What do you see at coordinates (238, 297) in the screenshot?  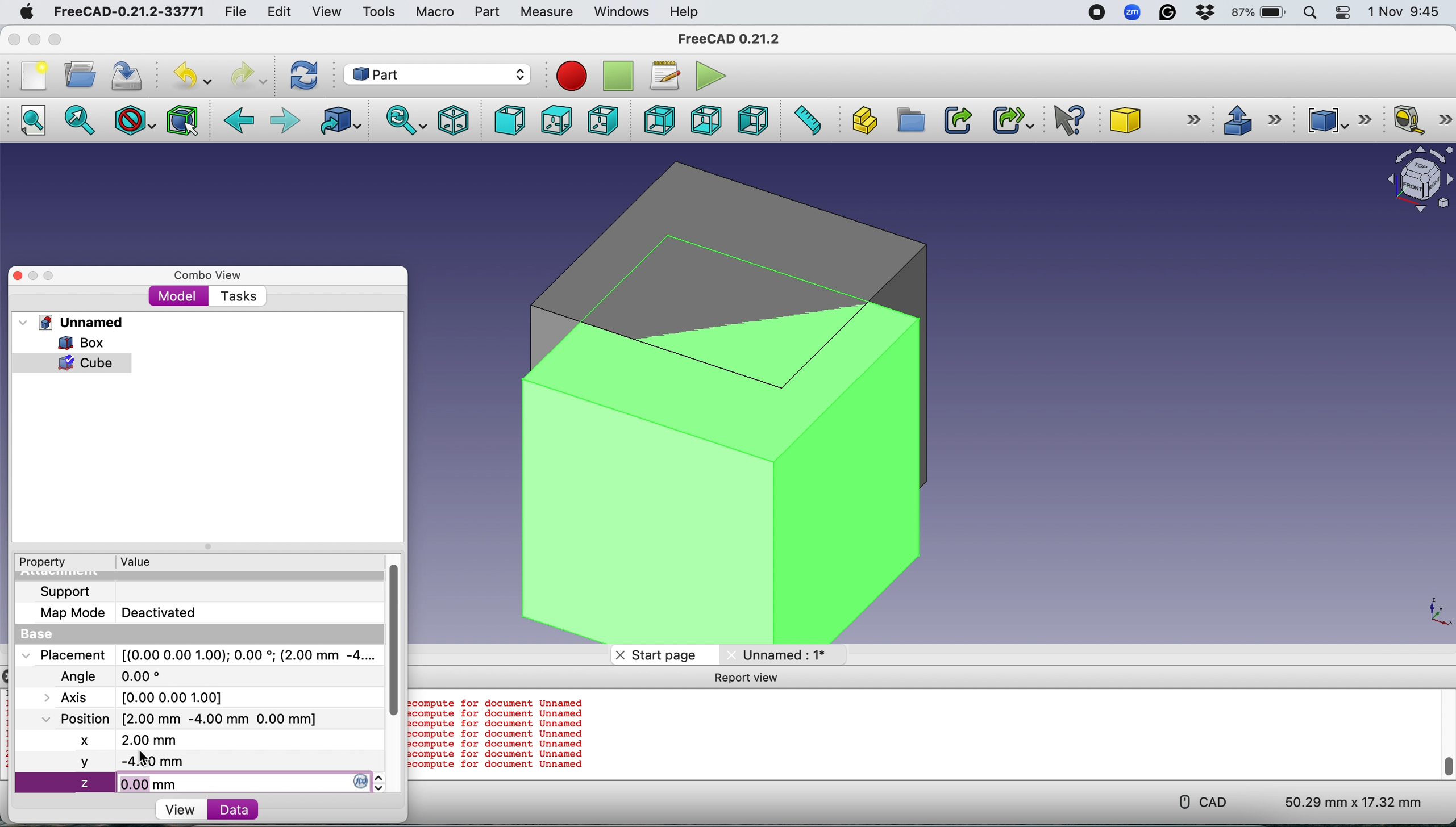 I see `Tasks` at bounding box center [238, 297].